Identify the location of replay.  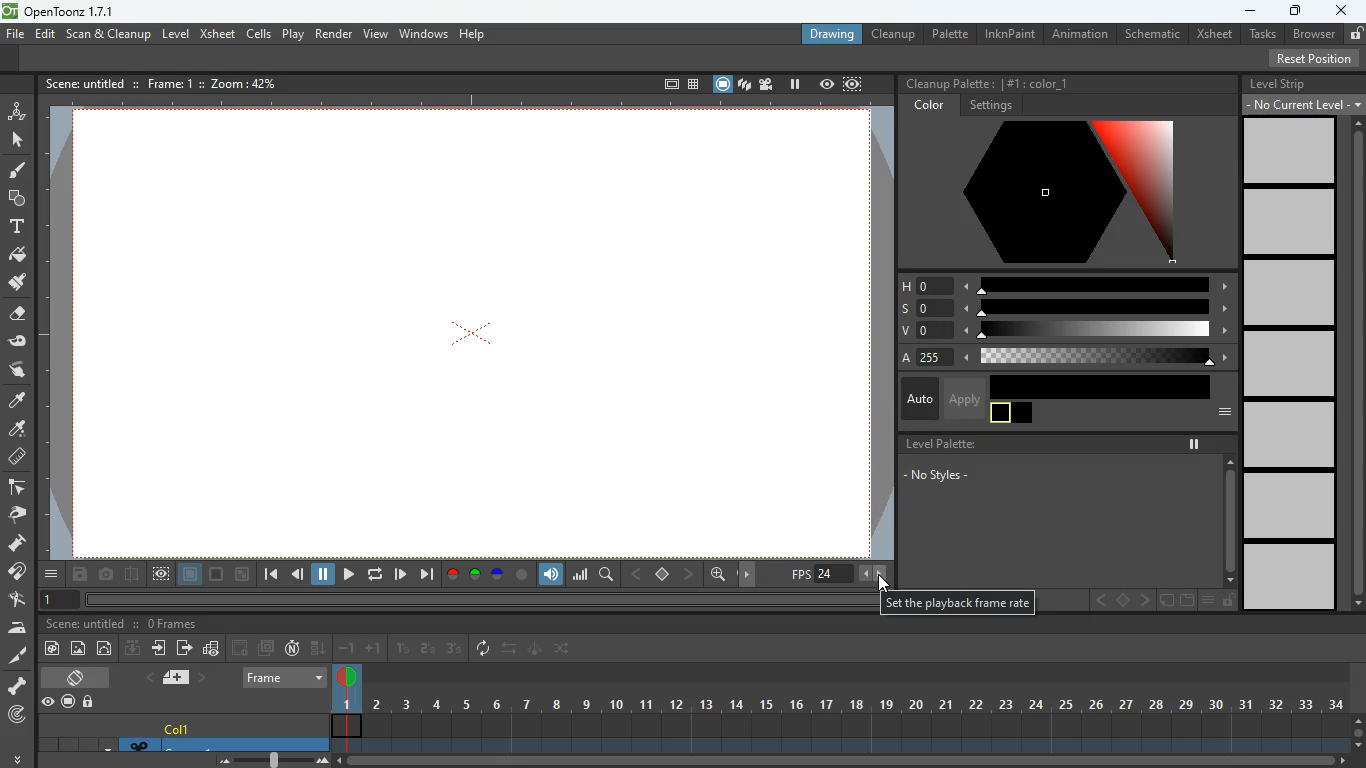
(373, 575).